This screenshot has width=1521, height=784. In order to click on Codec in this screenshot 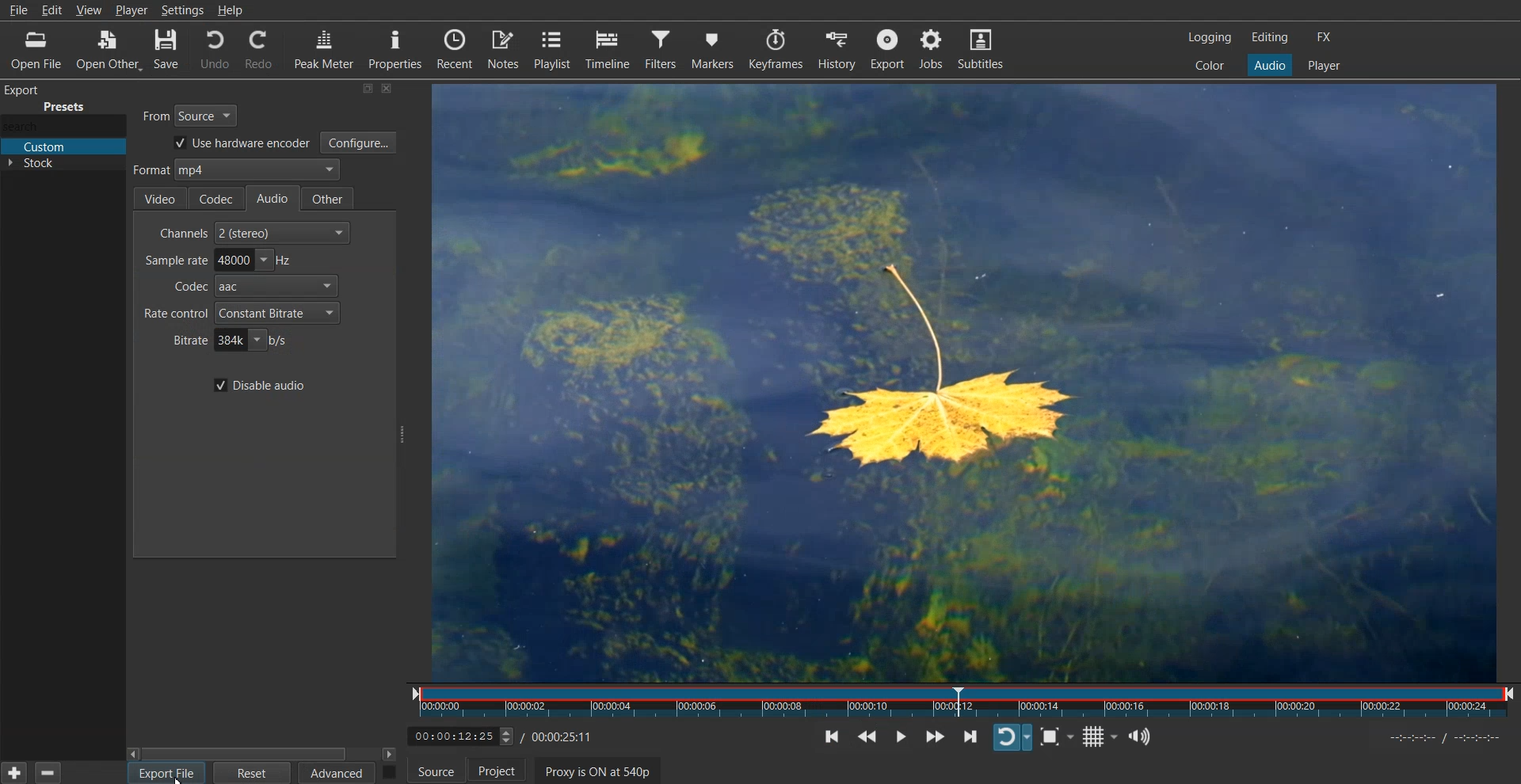, I will do `click(250, 287)`.